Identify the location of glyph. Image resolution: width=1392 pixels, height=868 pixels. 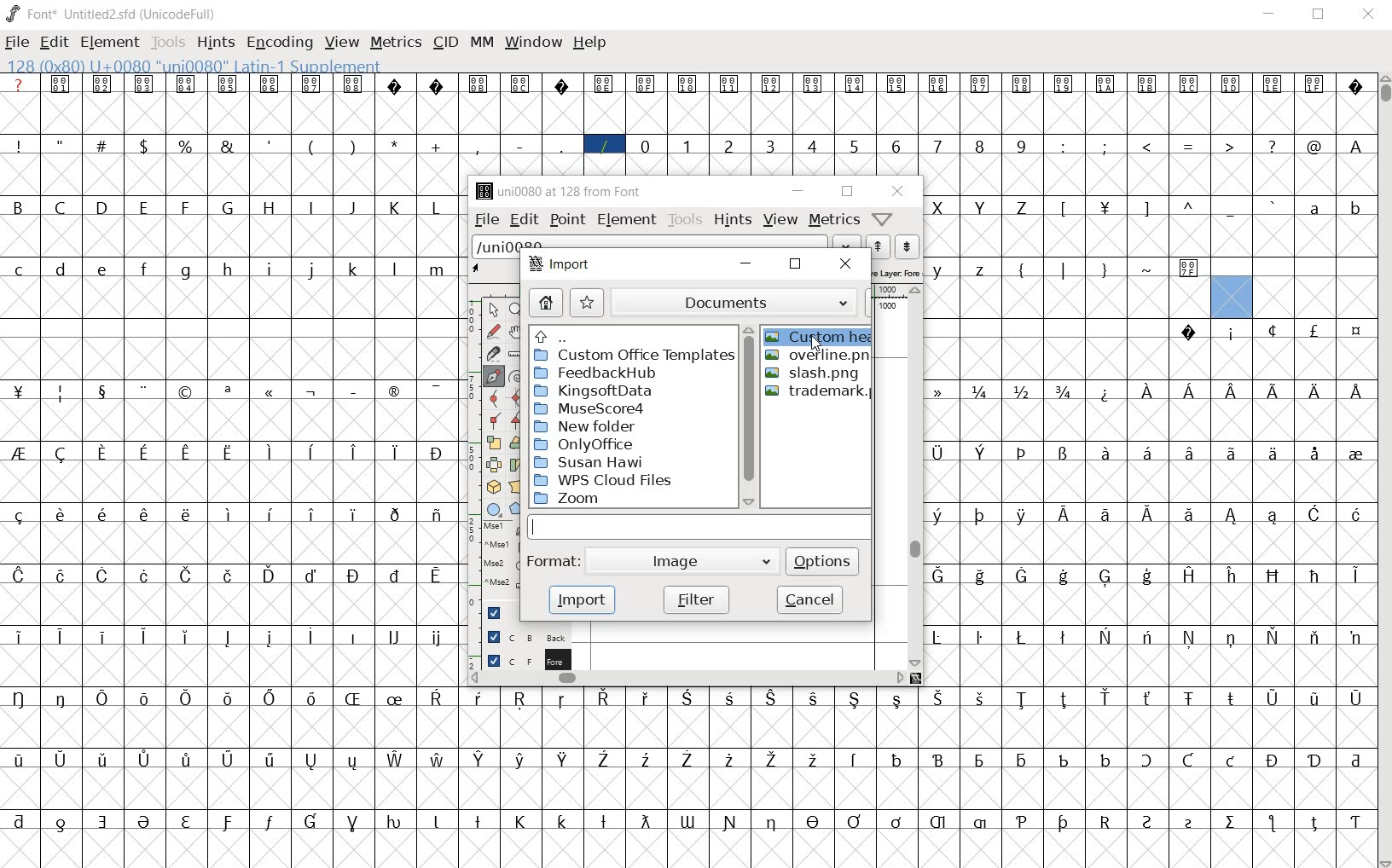
(1273, 453).